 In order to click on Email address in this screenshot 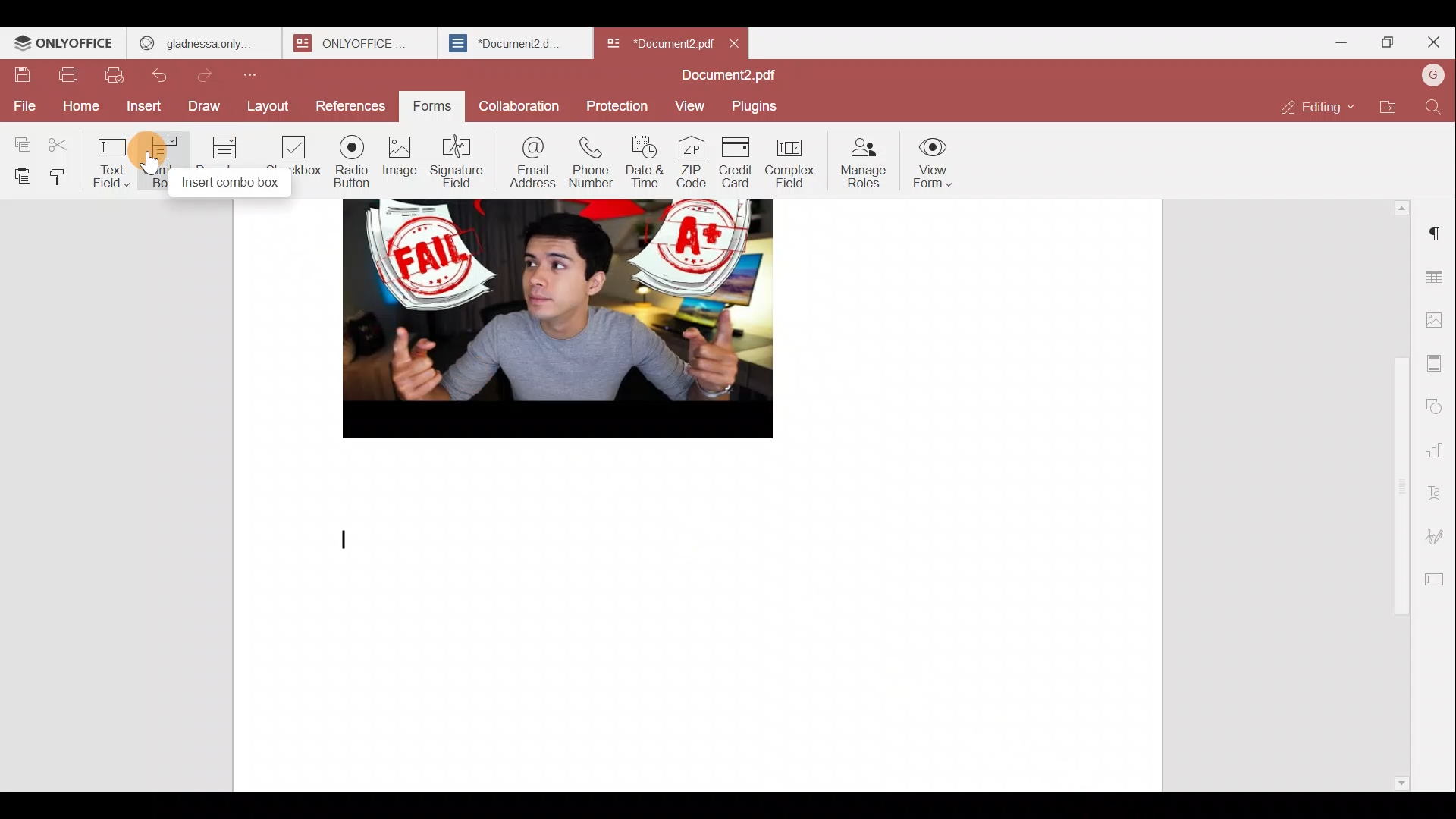, I will do `click(531, 162)`.